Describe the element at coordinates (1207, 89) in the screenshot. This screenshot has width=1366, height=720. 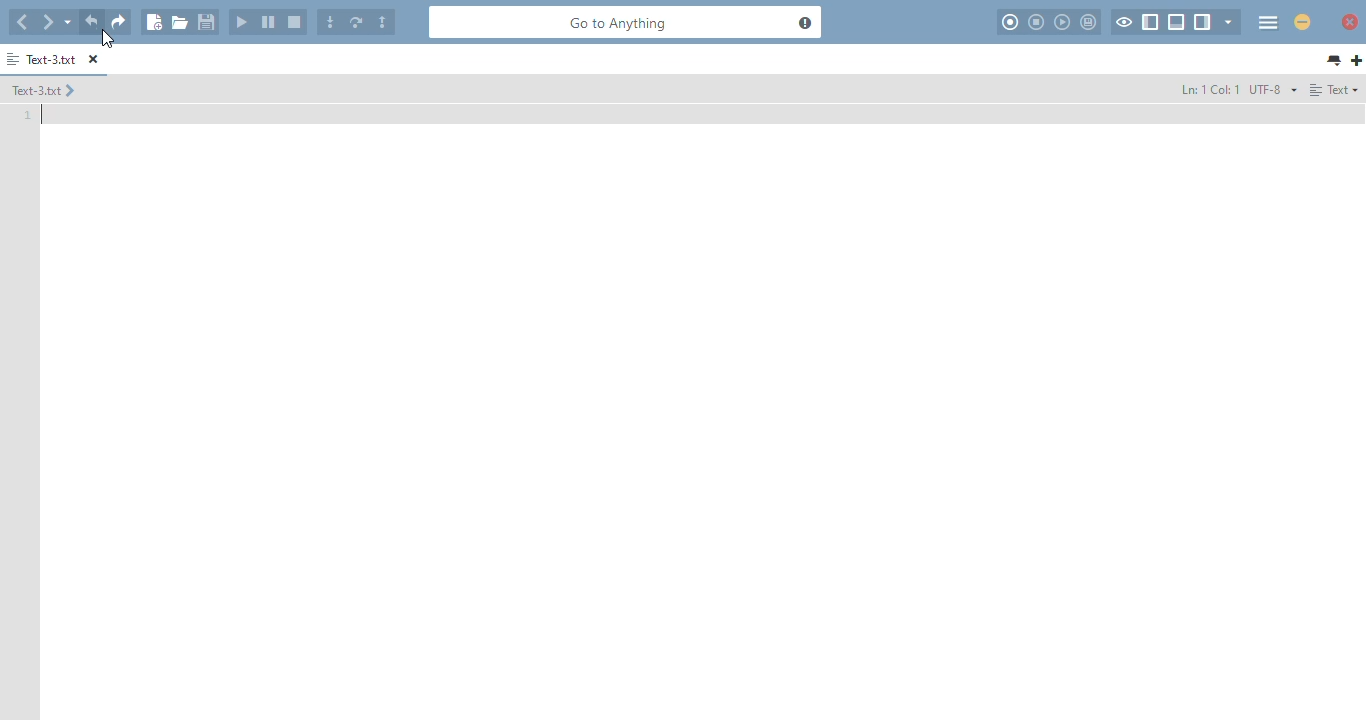
I see `ln: 1 col: 1` at that location.